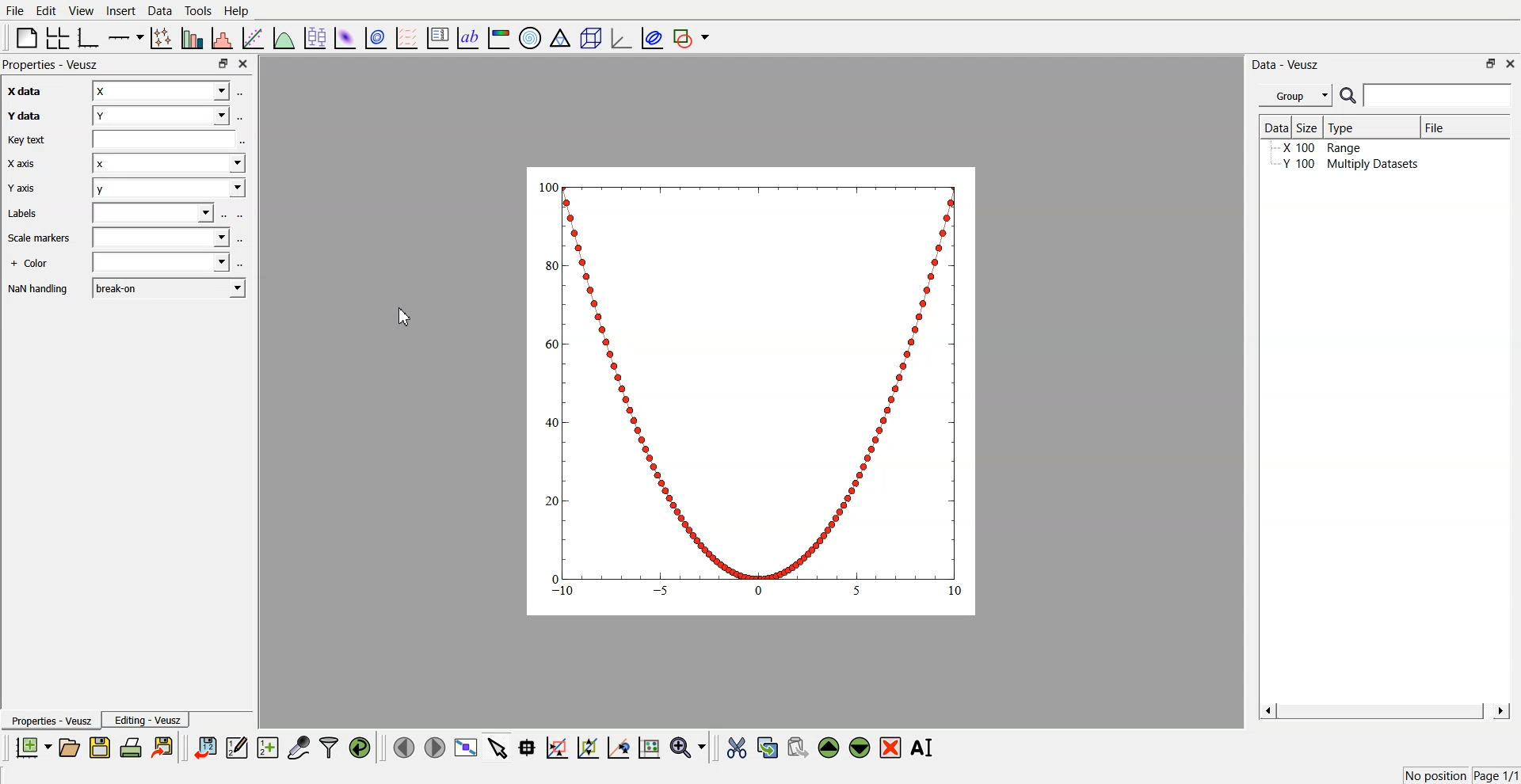 This screenshot has width=1521, height=784. I want to click on reload the data points, so click(360, 748).